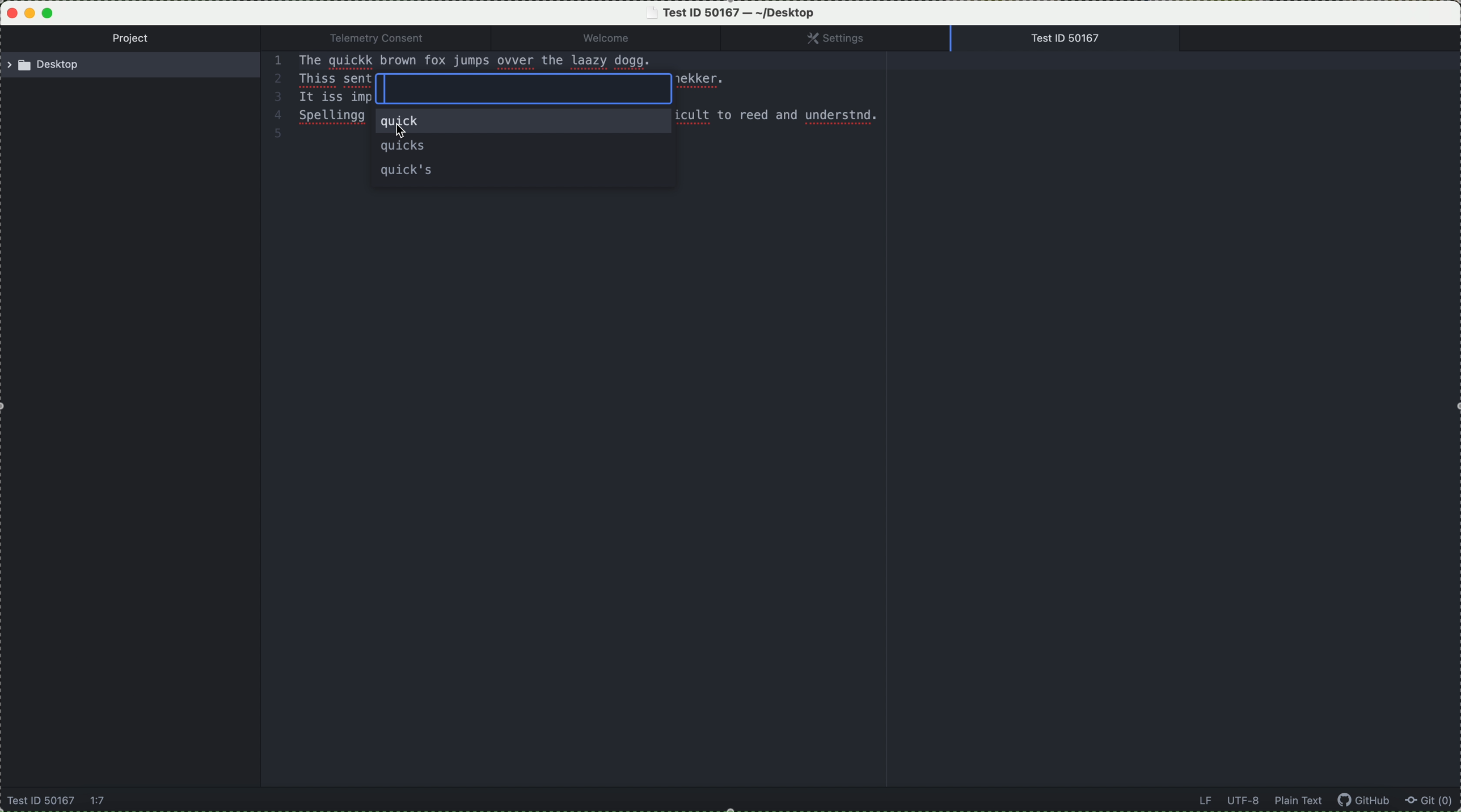 This screenshot has width=1461, height=812. I want to click on space to write, so click(525, 90).